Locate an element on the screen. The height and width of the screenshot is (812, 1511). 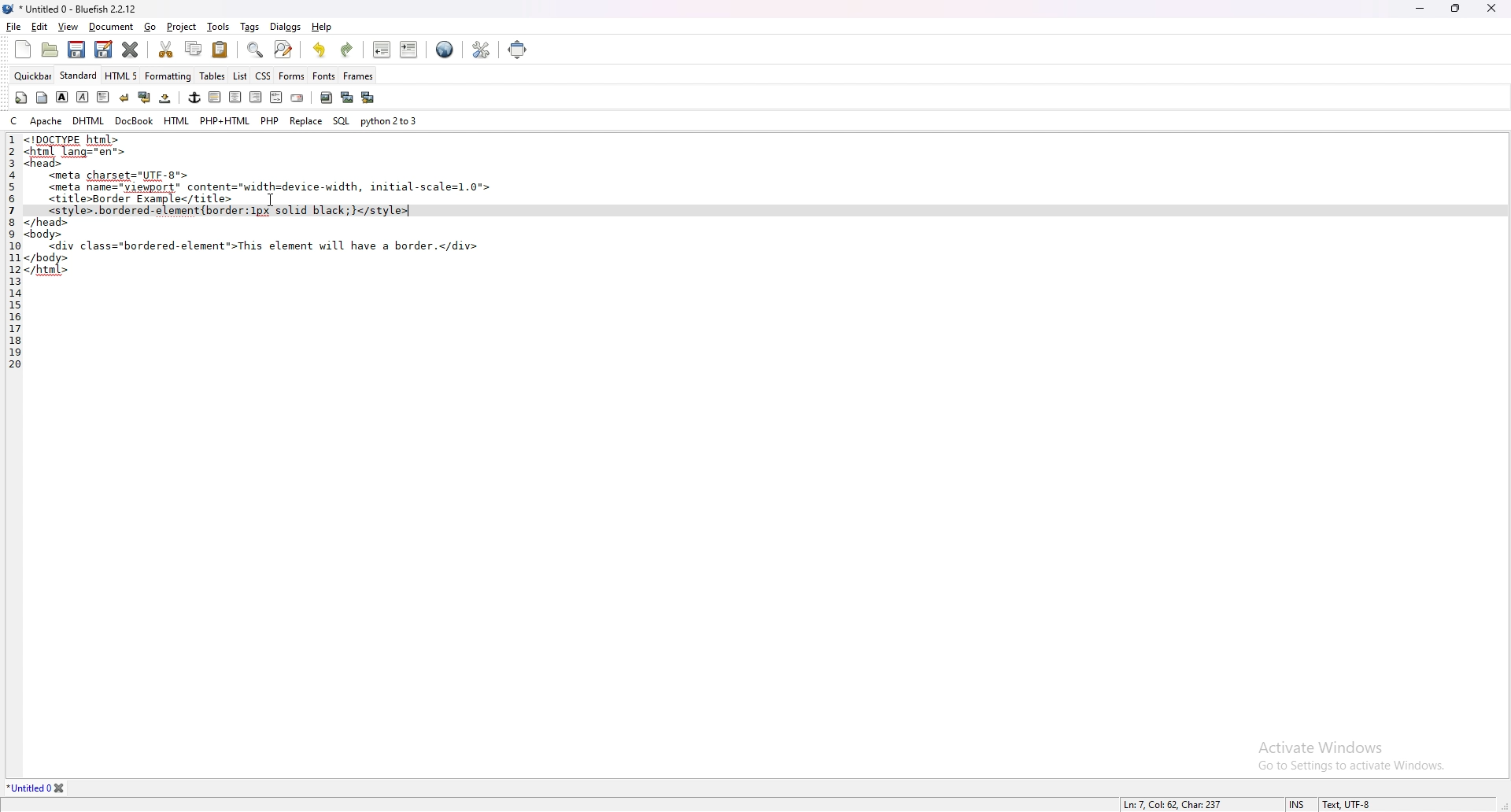
Activate Windows
Go to Settings to activate Windows. is located at coordinates (1345, 749).